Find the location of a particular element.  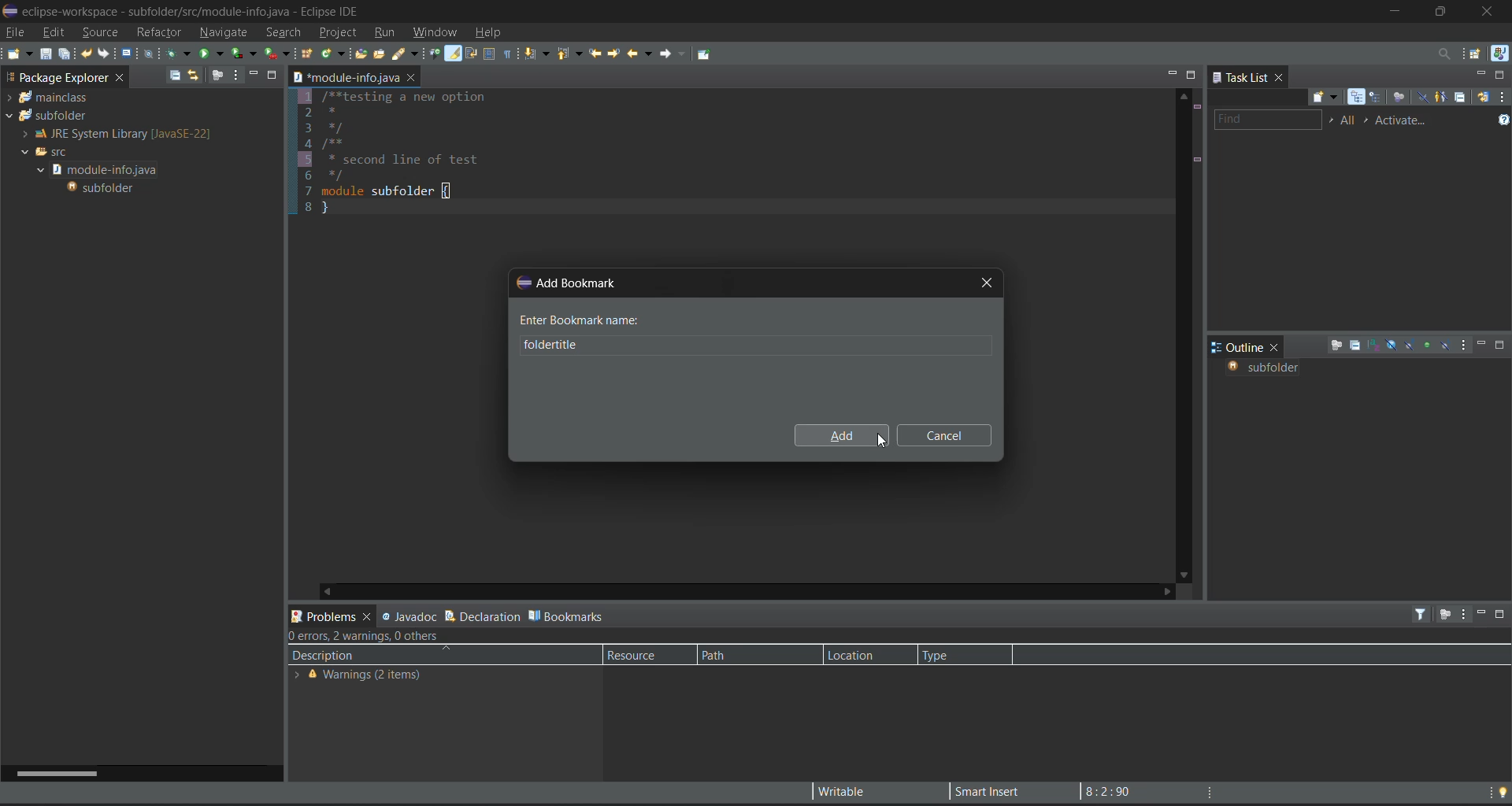

save is located at coordinates (46, 54).